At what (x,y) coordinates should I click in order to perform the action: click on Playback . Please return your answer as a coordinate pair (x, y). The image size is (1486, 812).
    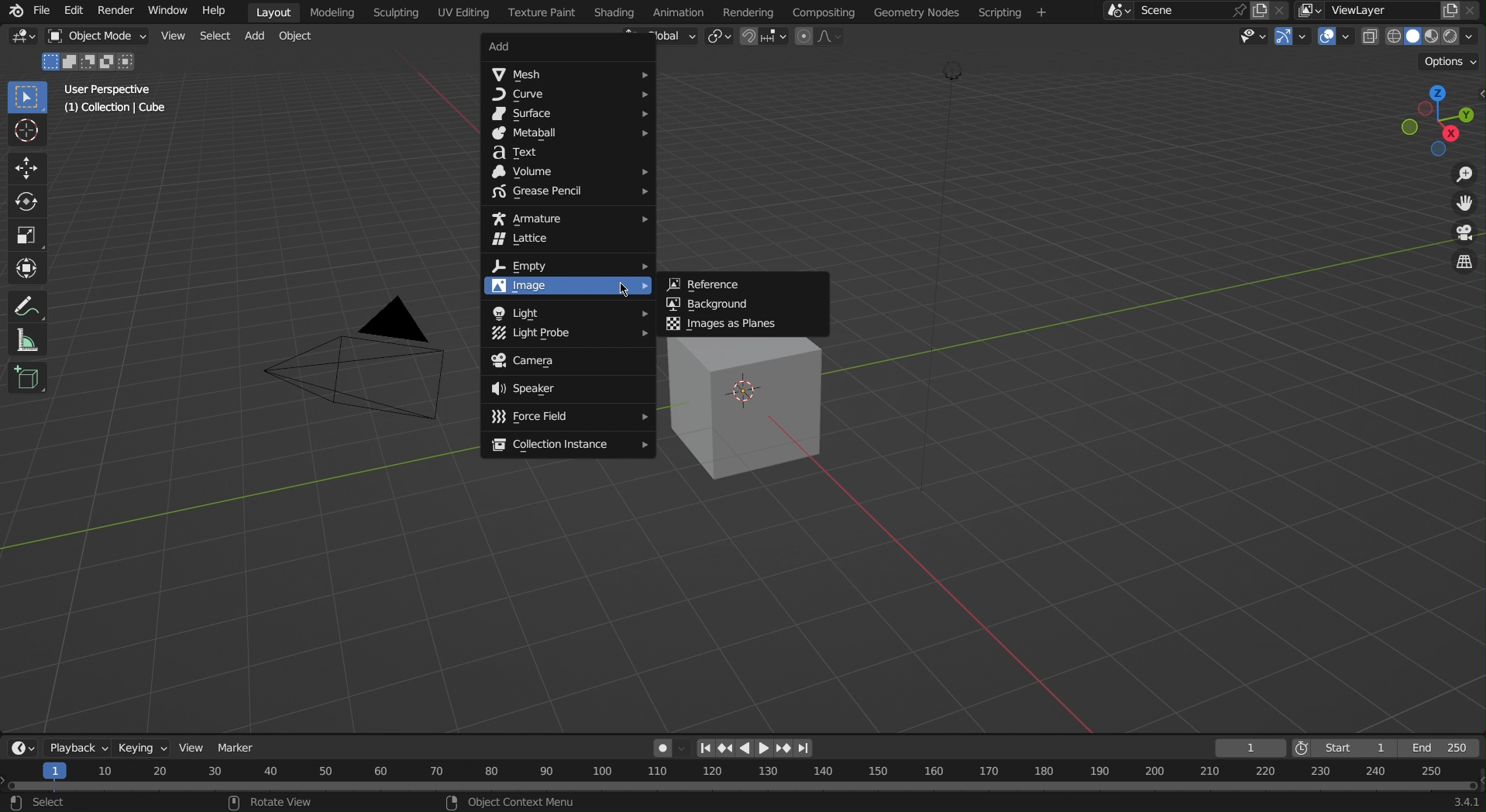
    Looking at the image, I should click on (74, 745).